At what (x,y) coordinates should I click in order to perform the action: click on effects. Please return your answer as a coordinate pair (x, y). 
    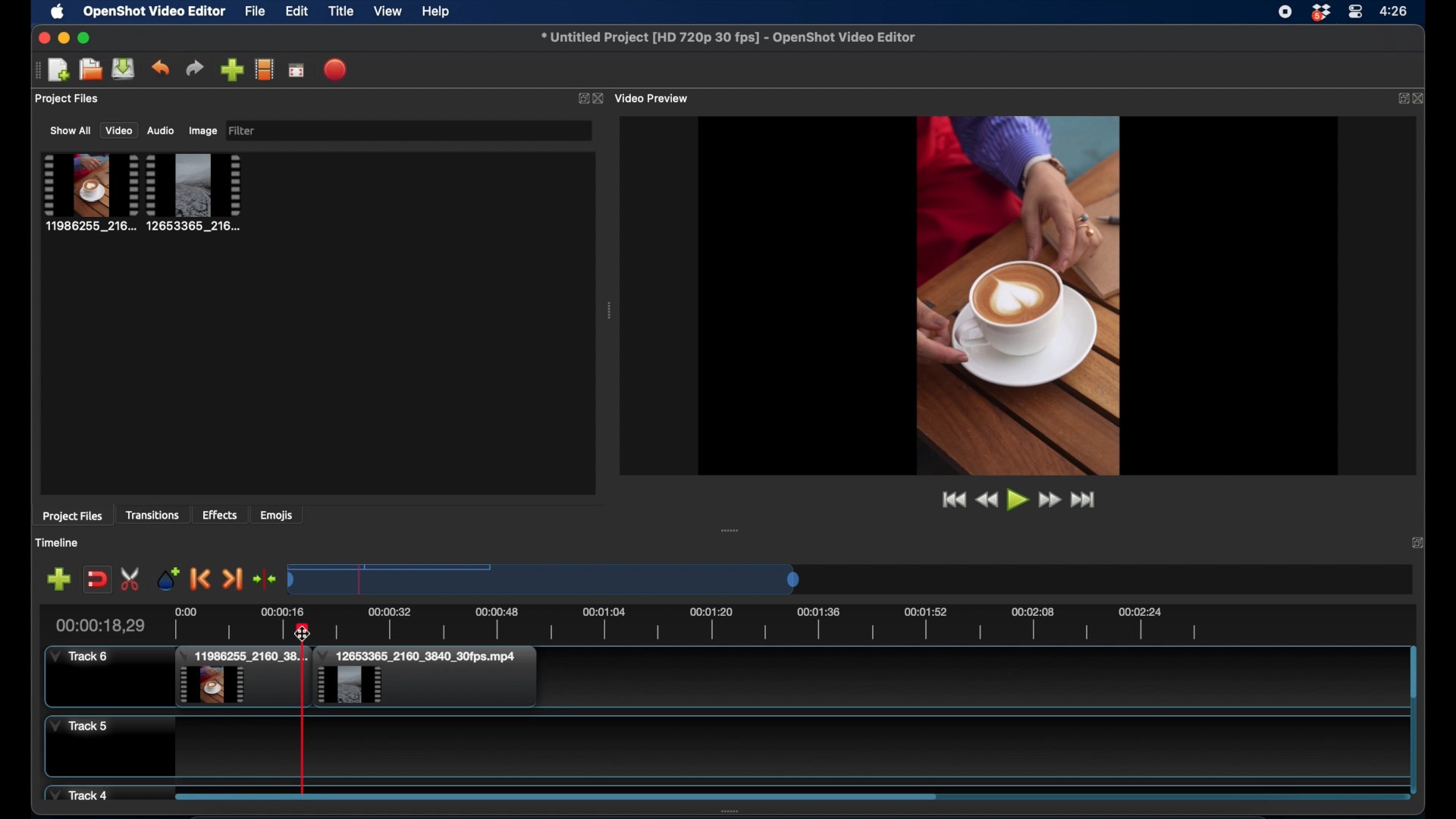
    Looking at the image, I should click on (221, 515).